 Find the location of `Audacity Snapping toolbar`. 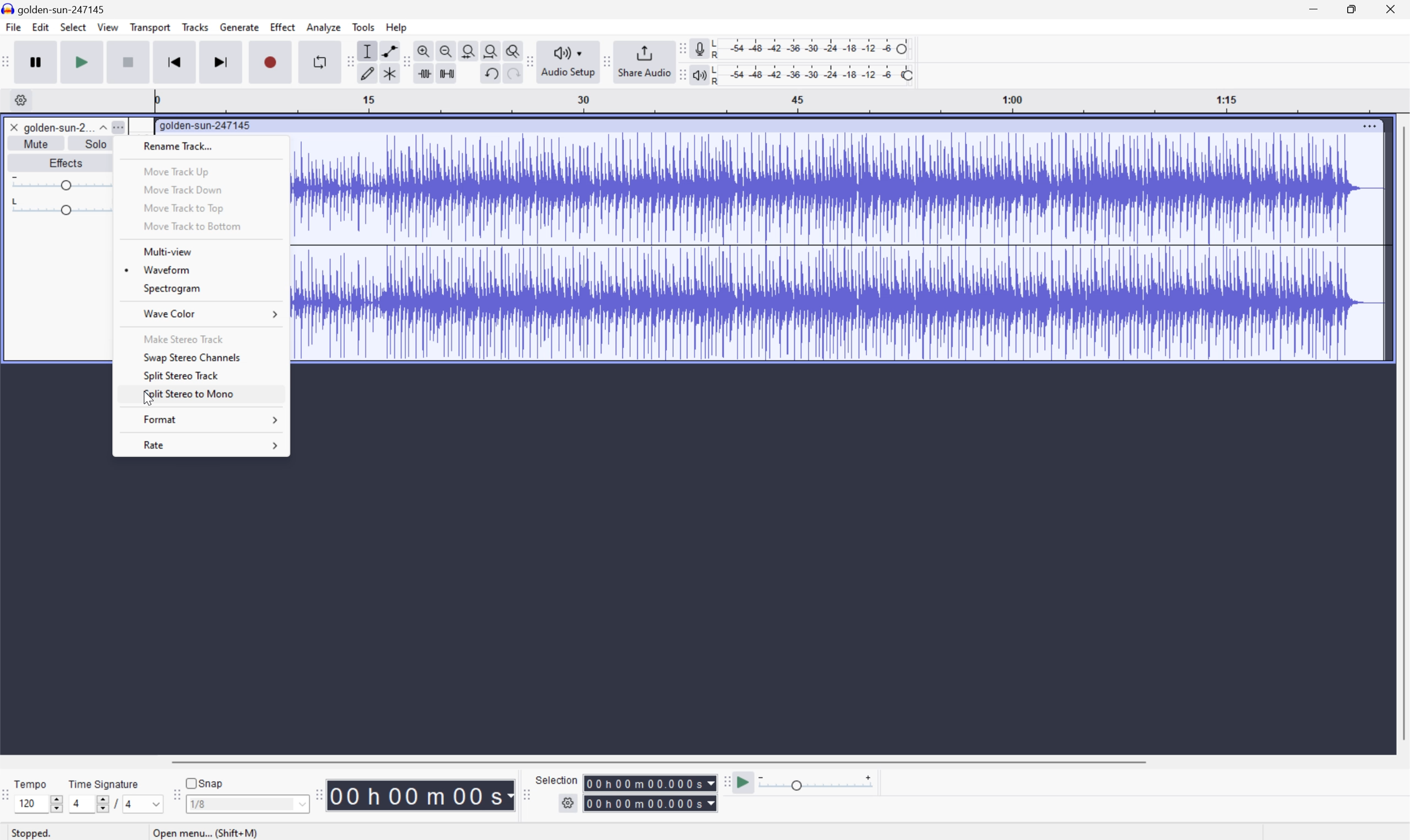

Audacity Snapping toolbar is located at coordinates (179, 793).